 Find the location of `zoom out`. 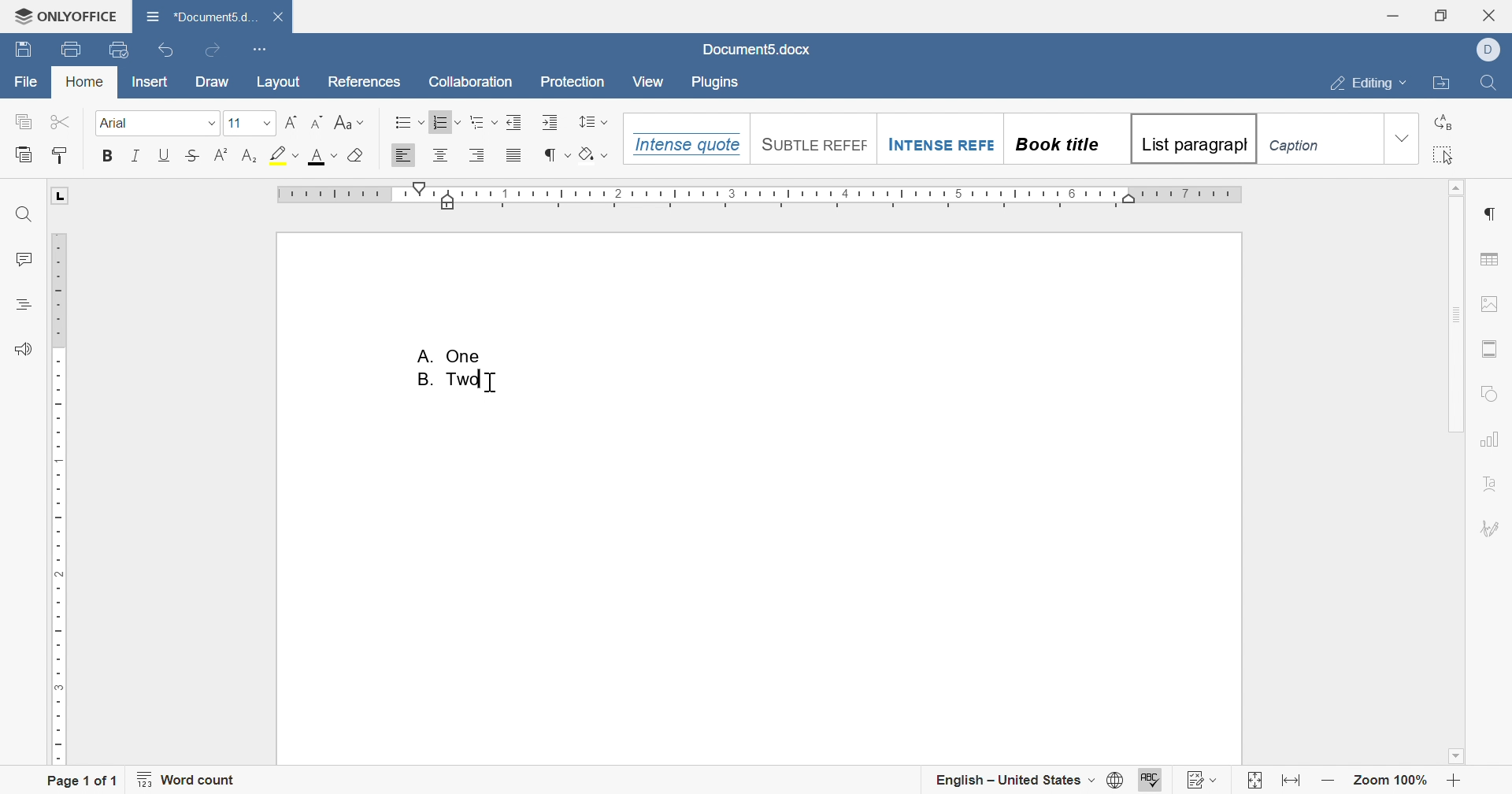

zoom out is located at coordinates (1331, 783).